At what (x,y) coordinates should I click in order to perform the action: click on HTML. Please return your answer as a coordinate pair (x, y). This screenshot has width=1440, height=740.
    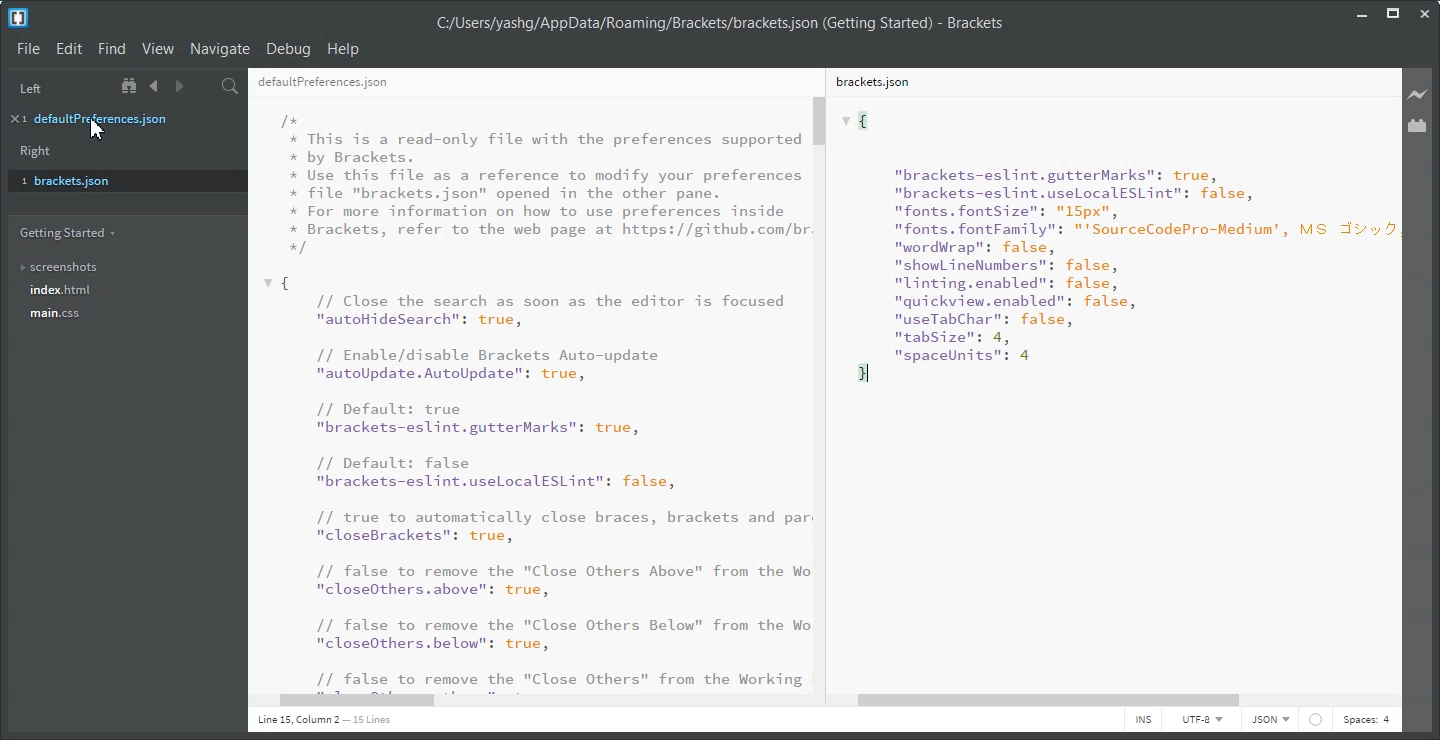
    Looking at the image, I should click on (1269, 721).